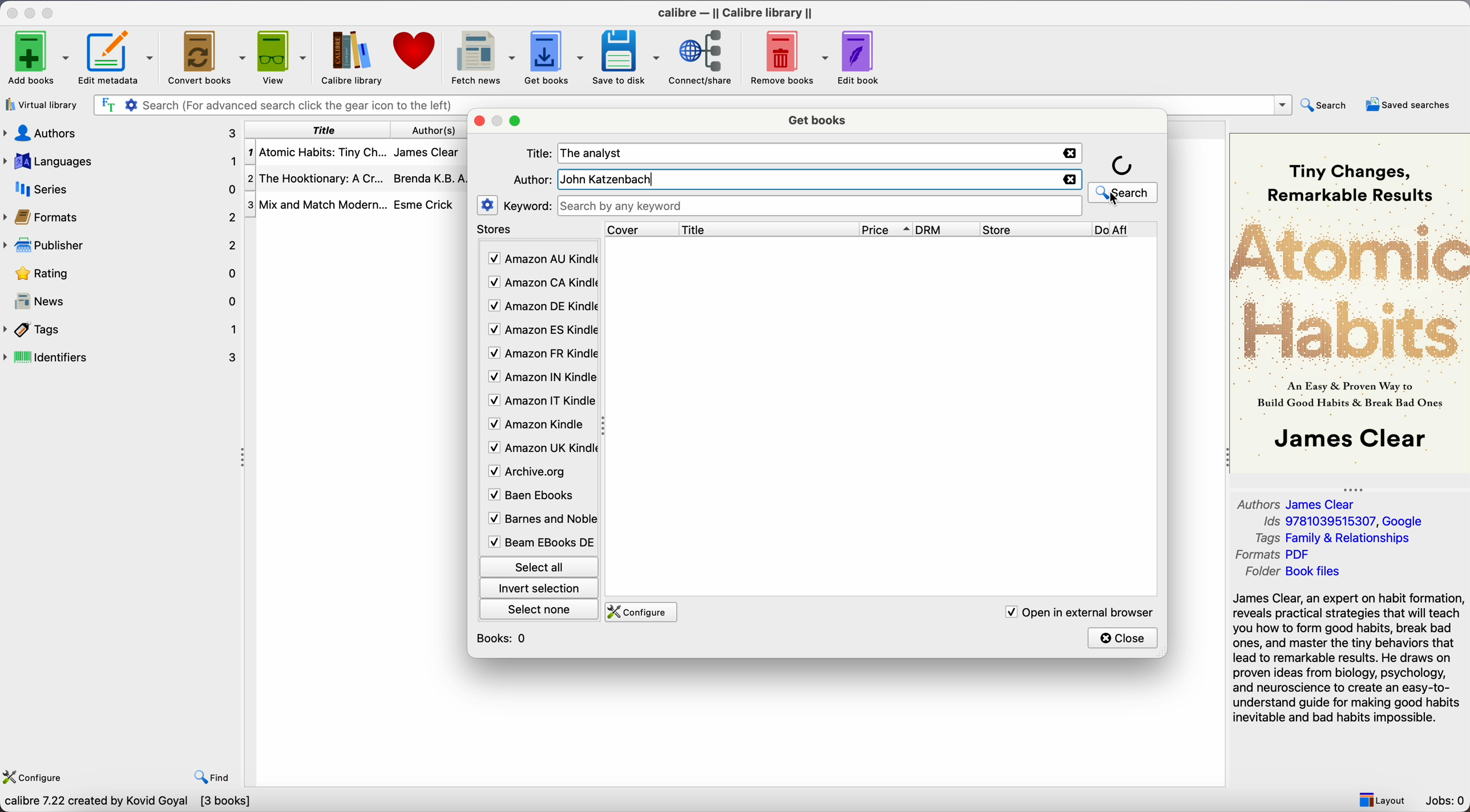 The width and height of the screenshot is (1470, 812). I want to click on keyword, so click(528, 207).